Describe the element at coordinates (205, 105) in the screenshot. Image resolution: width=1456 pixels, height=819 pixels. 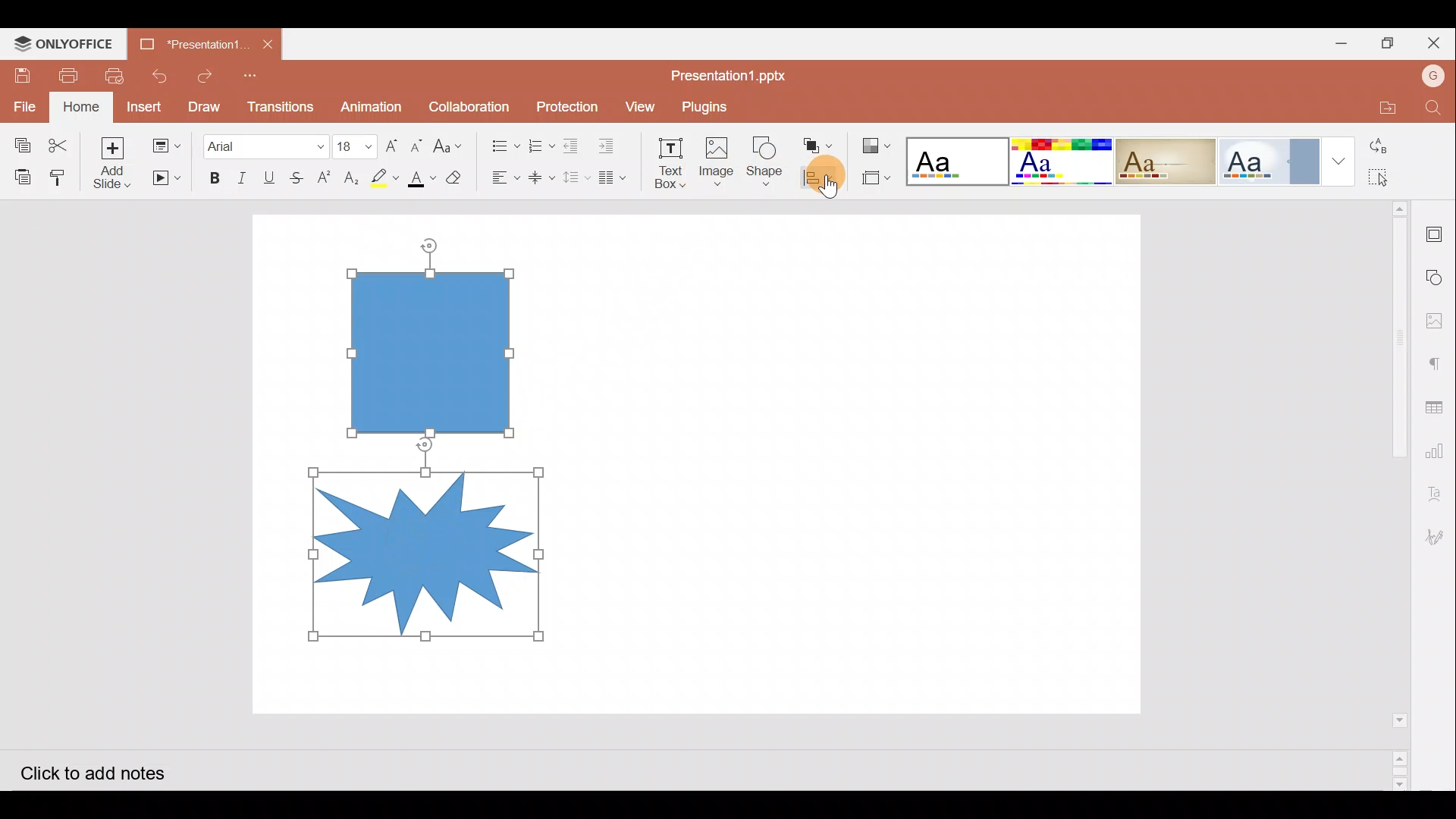
I see `Draw` at that location.